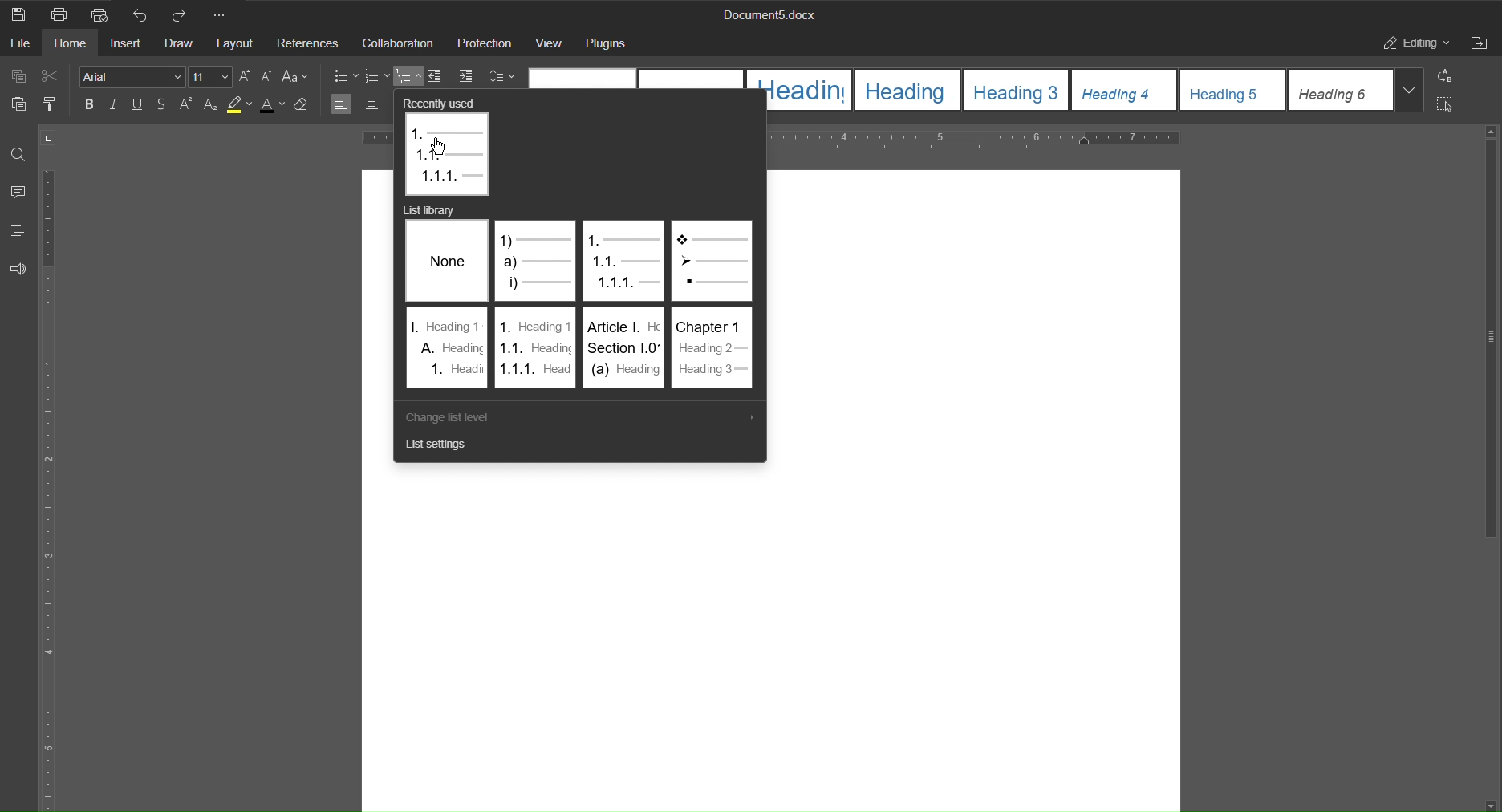  I want to click on Redo, so click(184, 14).